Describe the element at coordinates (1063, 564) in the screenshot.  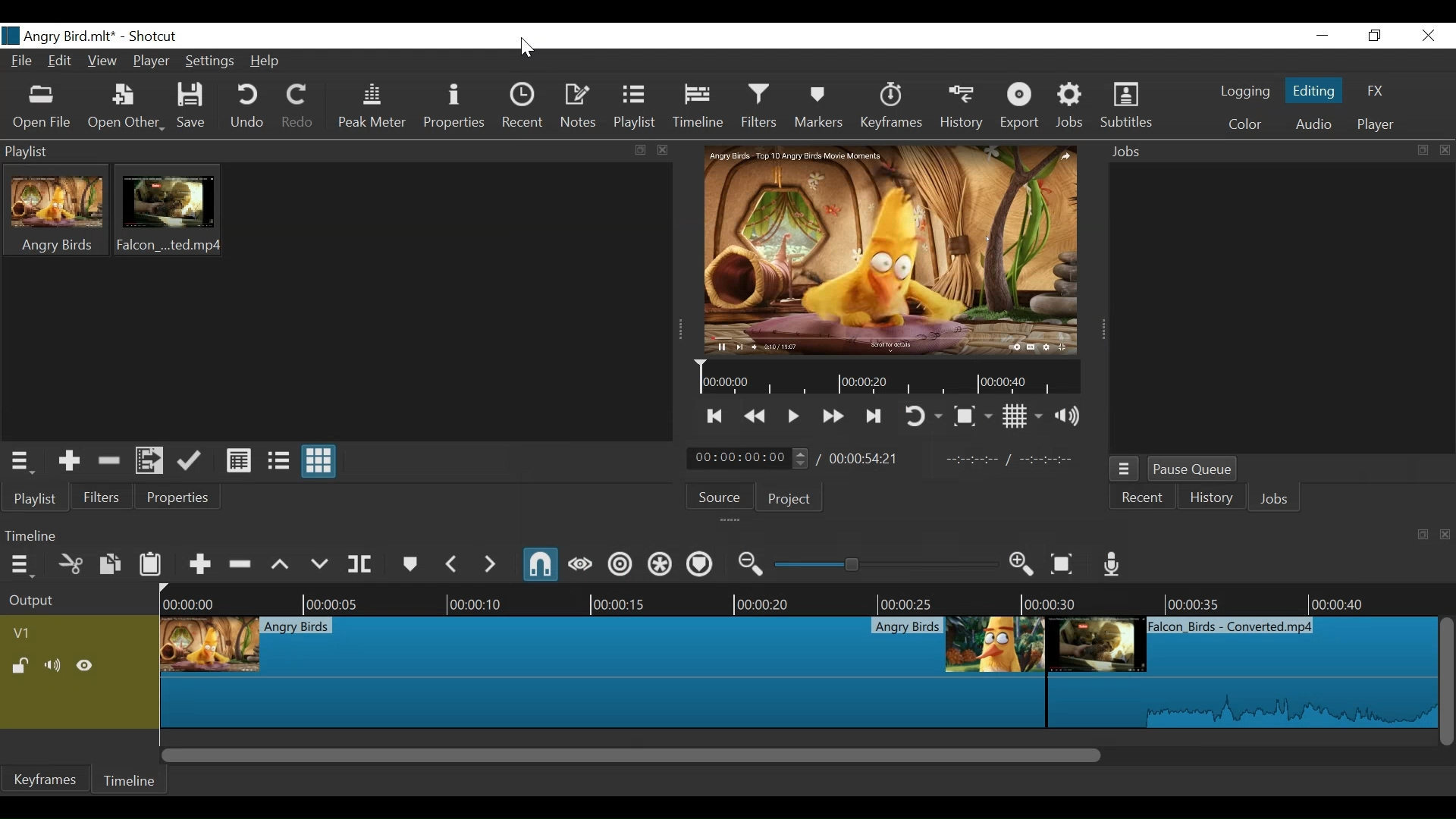
I see `Zoom timeline to fit` at that location.